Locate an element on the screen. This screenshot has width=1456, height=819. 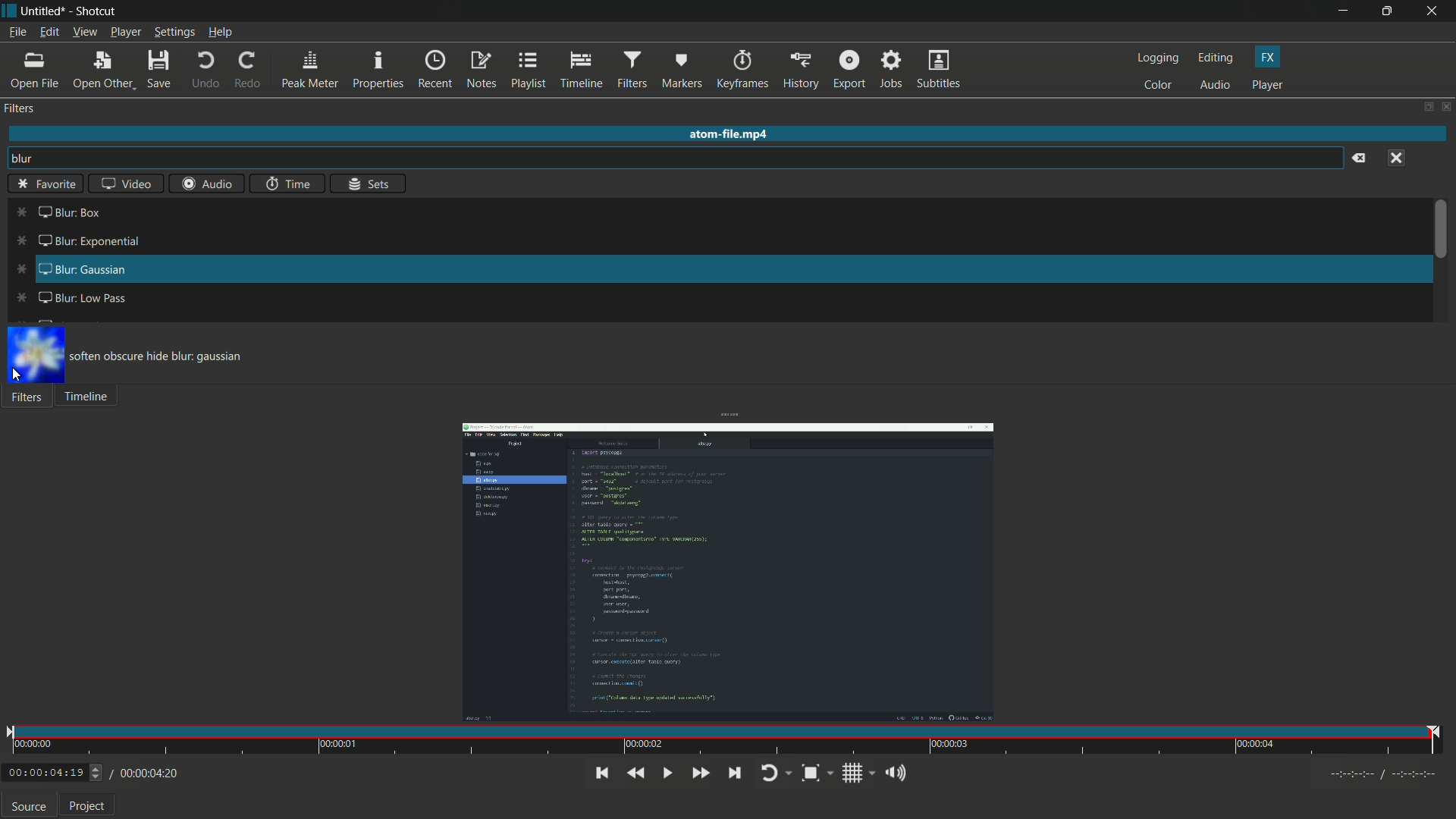
blur low pass is located at coordinates (72, 296).